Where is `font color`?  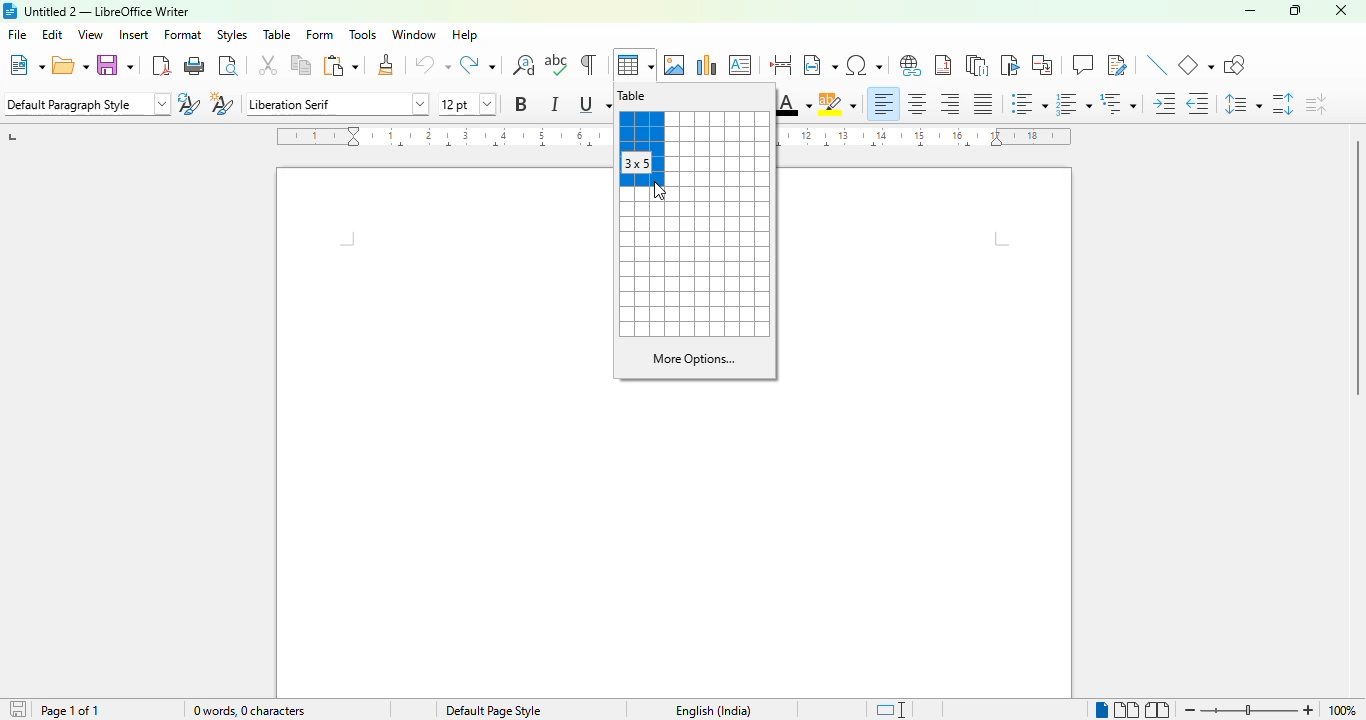
font color is located at coordinates (795, 104).